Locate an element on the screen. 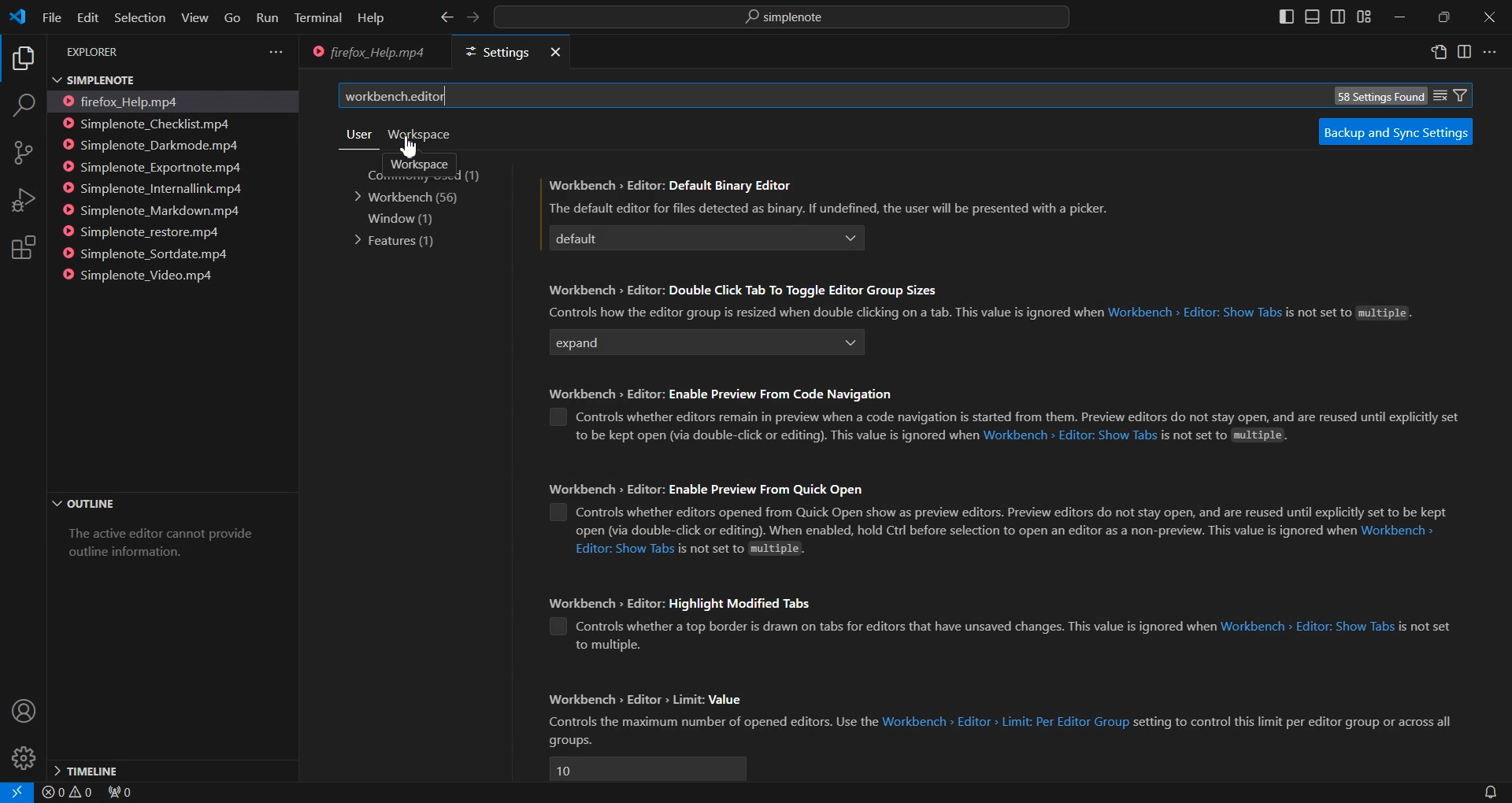  Go is located at coordinates (232, 18).